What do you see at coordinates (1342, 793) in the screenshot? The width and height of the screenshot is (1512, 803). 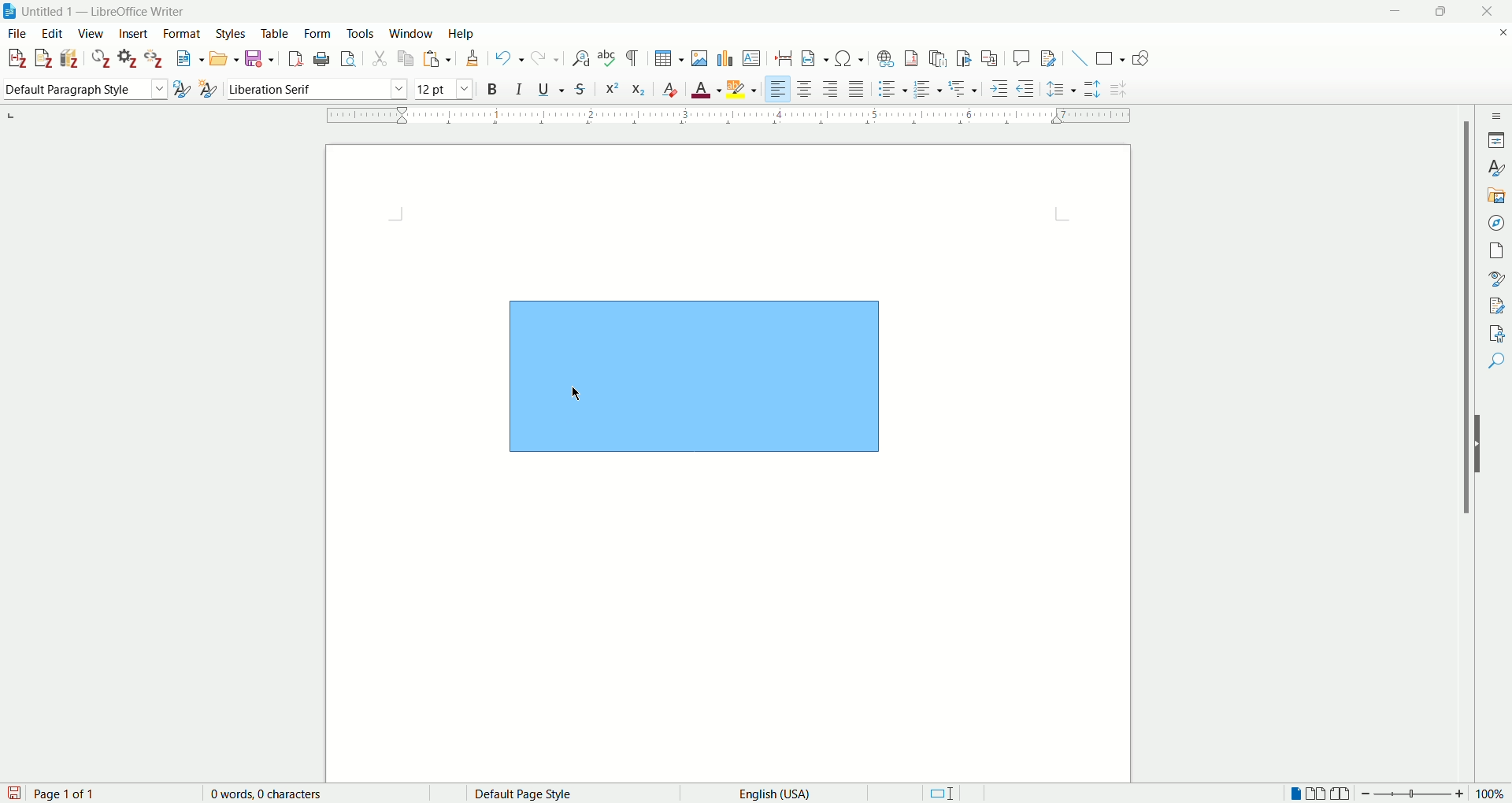 I see `book view` at bounding box center [1342, 793].